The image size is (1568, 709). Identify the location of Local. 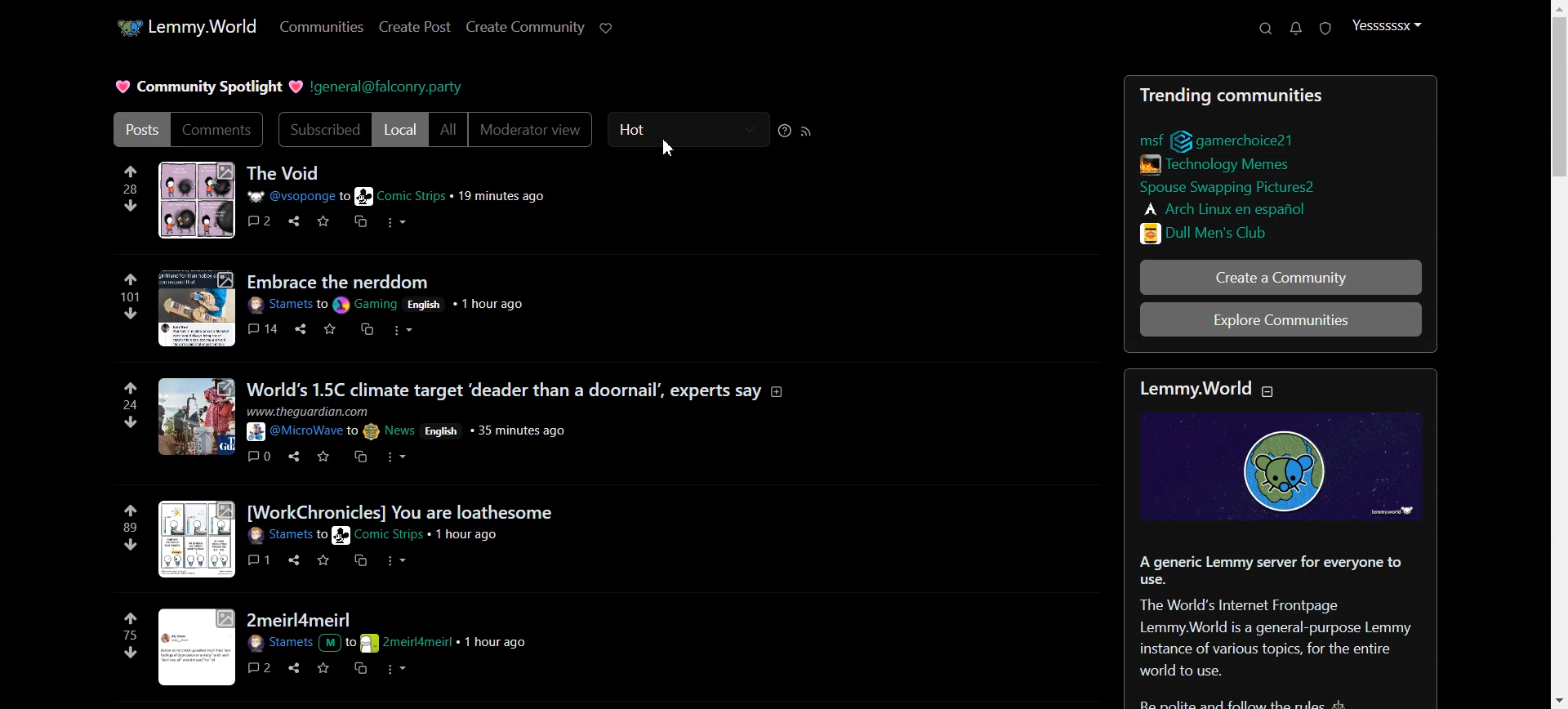
(400, 130).